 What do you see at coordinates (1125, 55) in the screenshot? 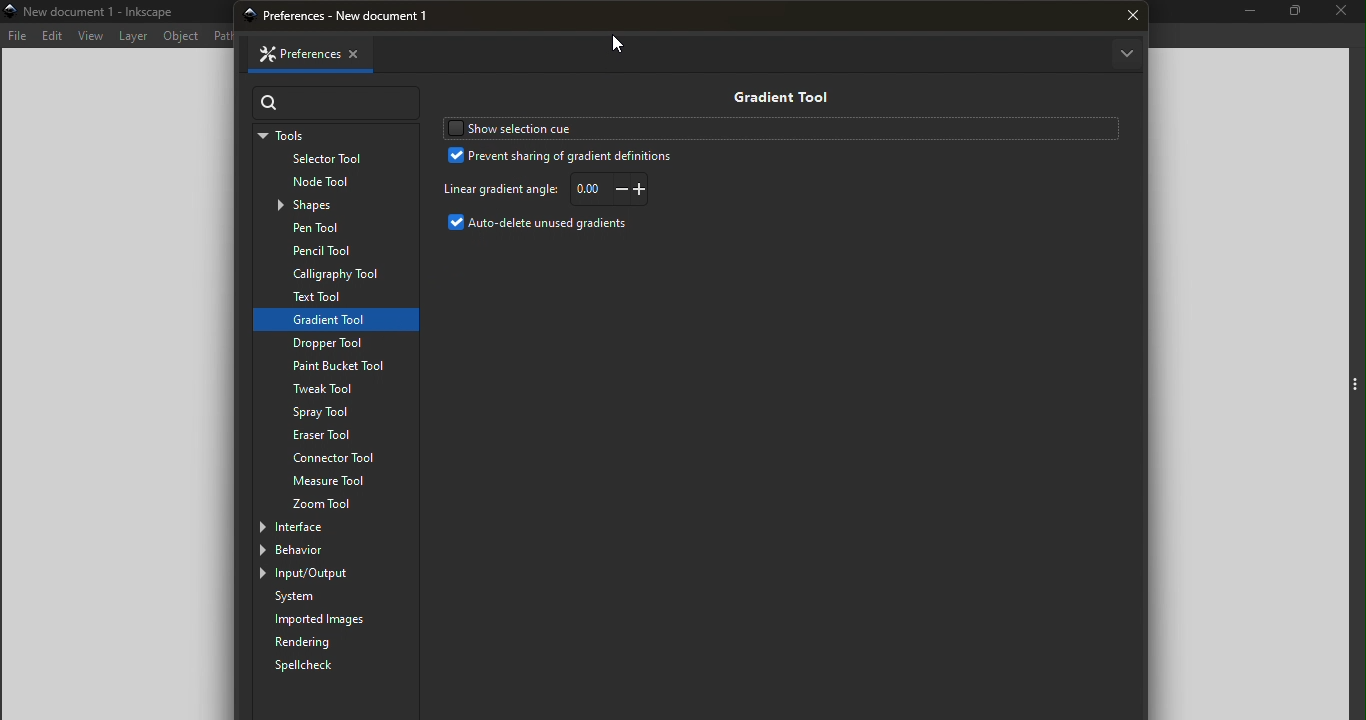
I see `More options` at bounding box center [1125, 55].